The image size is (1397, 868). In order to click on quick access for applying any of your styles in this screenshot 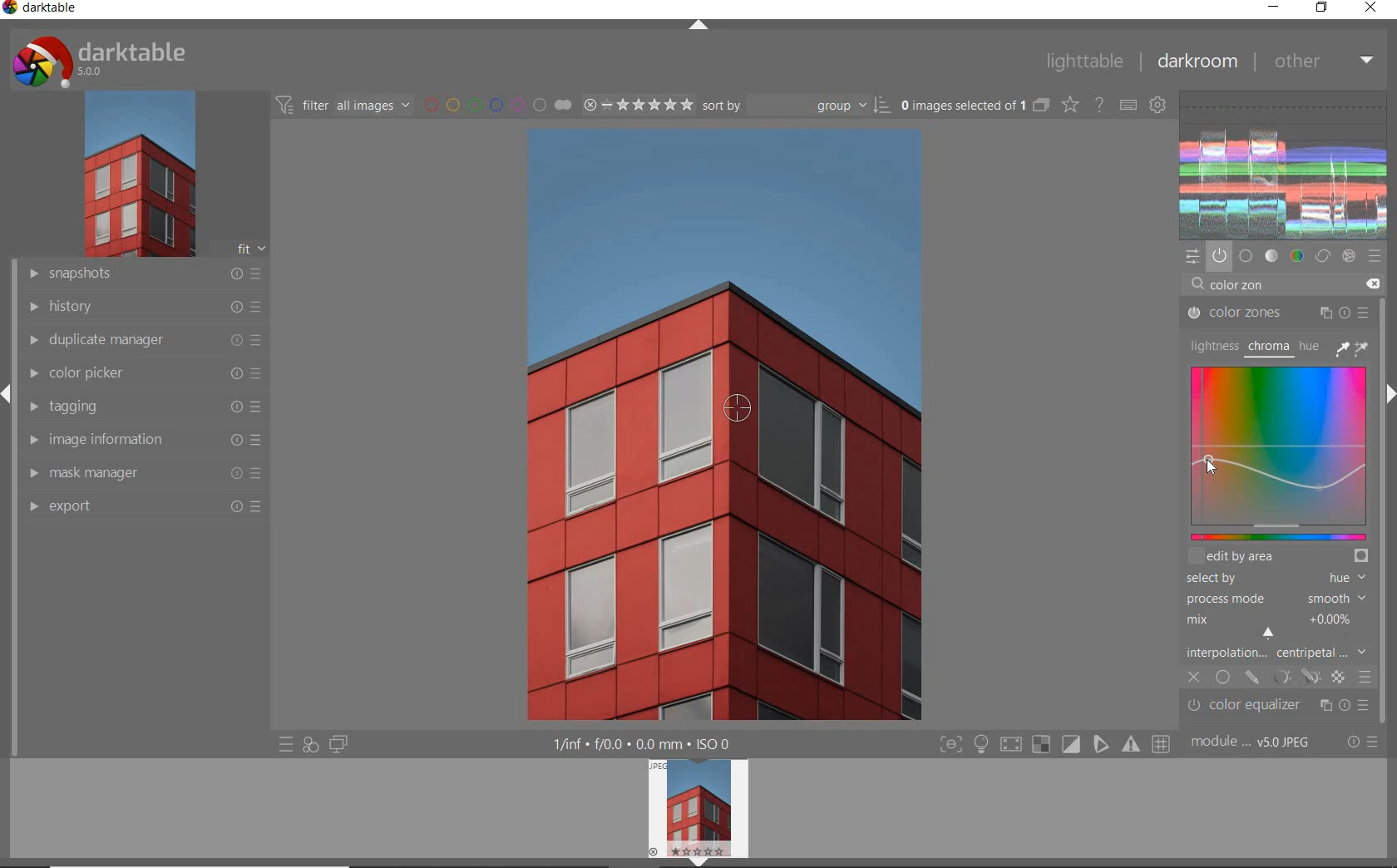, I will do `click(311, 744)`.